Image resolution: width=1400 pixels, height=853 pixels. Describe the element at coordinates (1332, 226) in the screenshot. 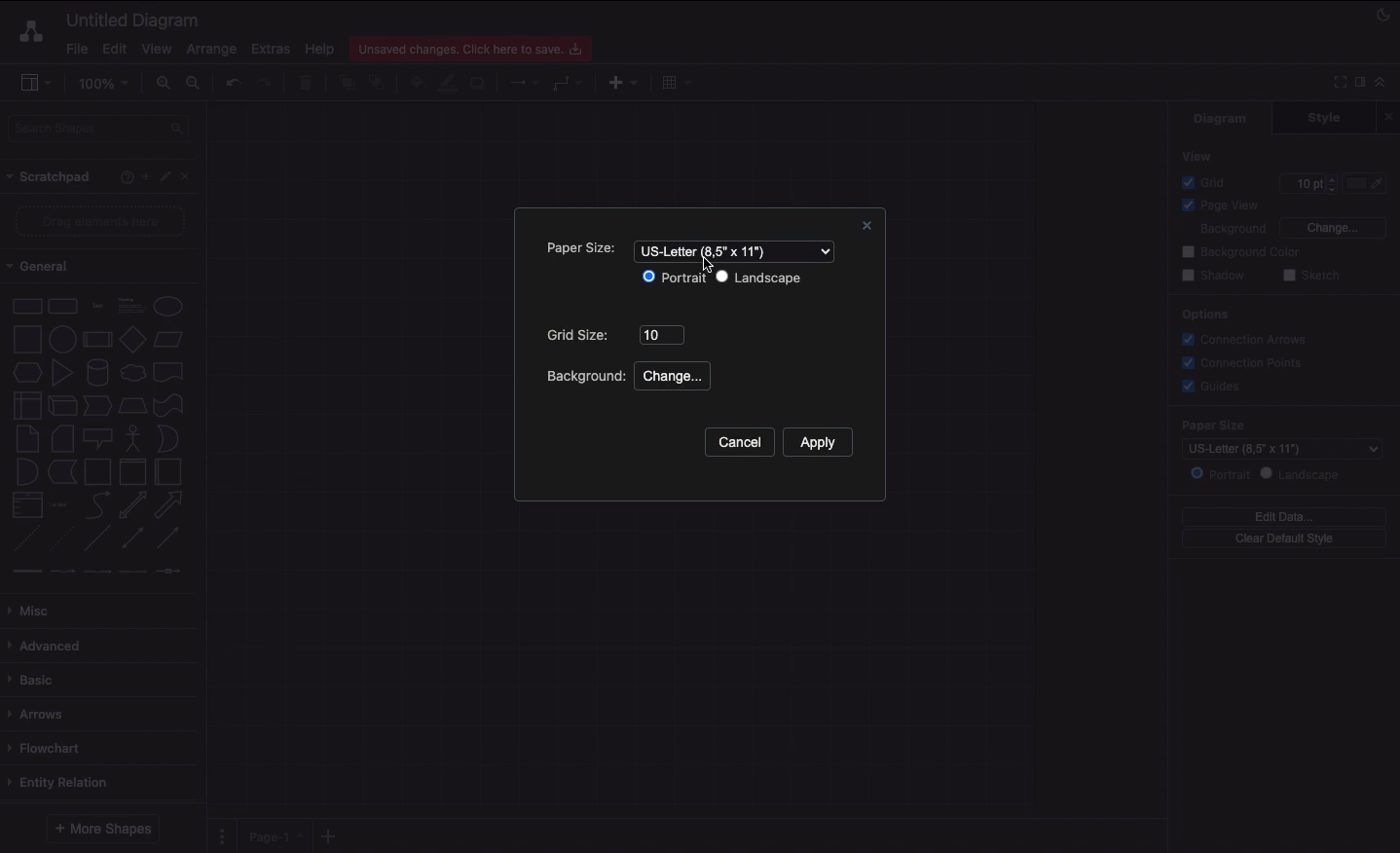

I see `Change` at that location.